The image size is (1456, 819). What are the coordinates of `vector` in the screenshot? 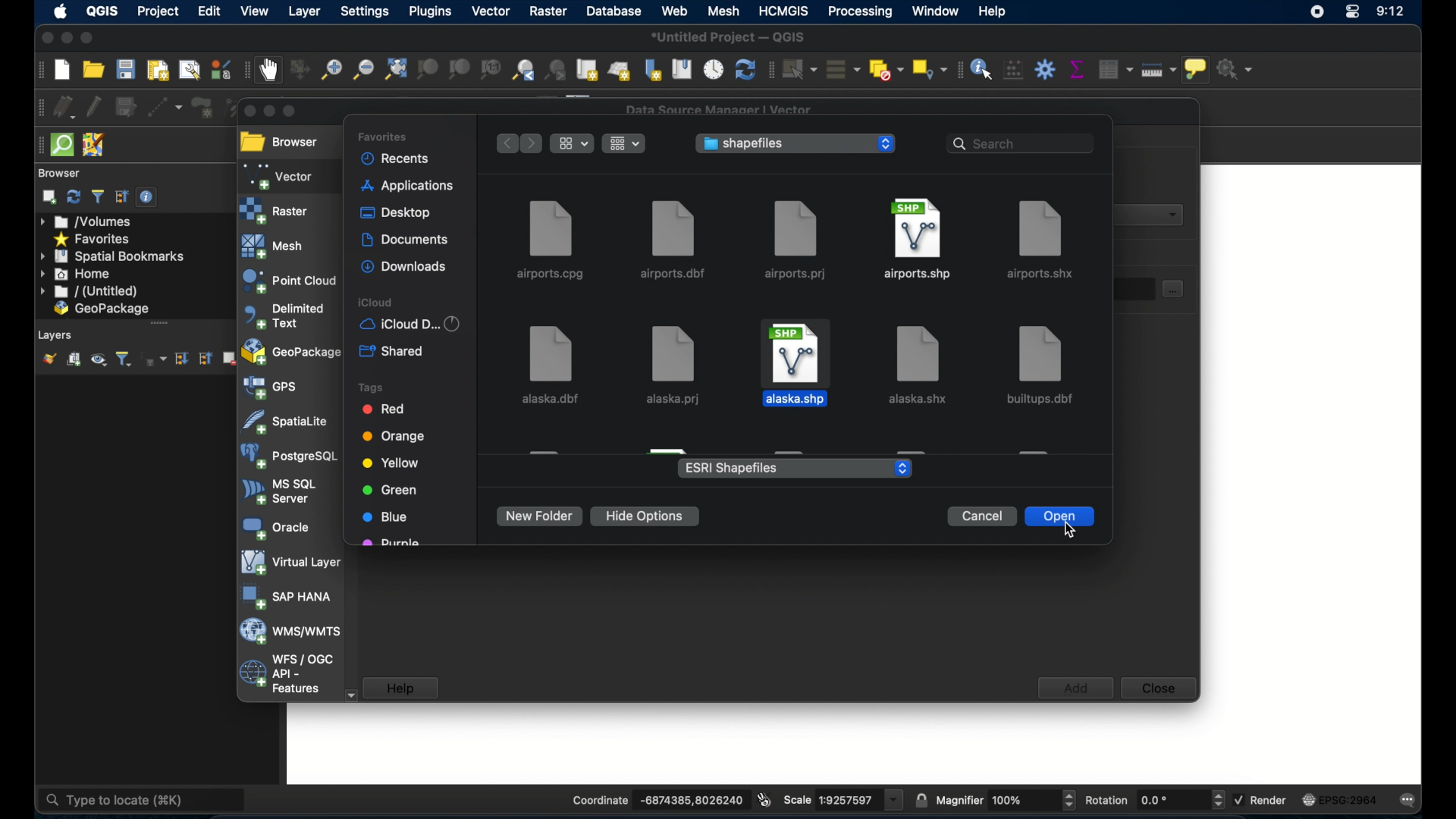 It's located at (490, 11).